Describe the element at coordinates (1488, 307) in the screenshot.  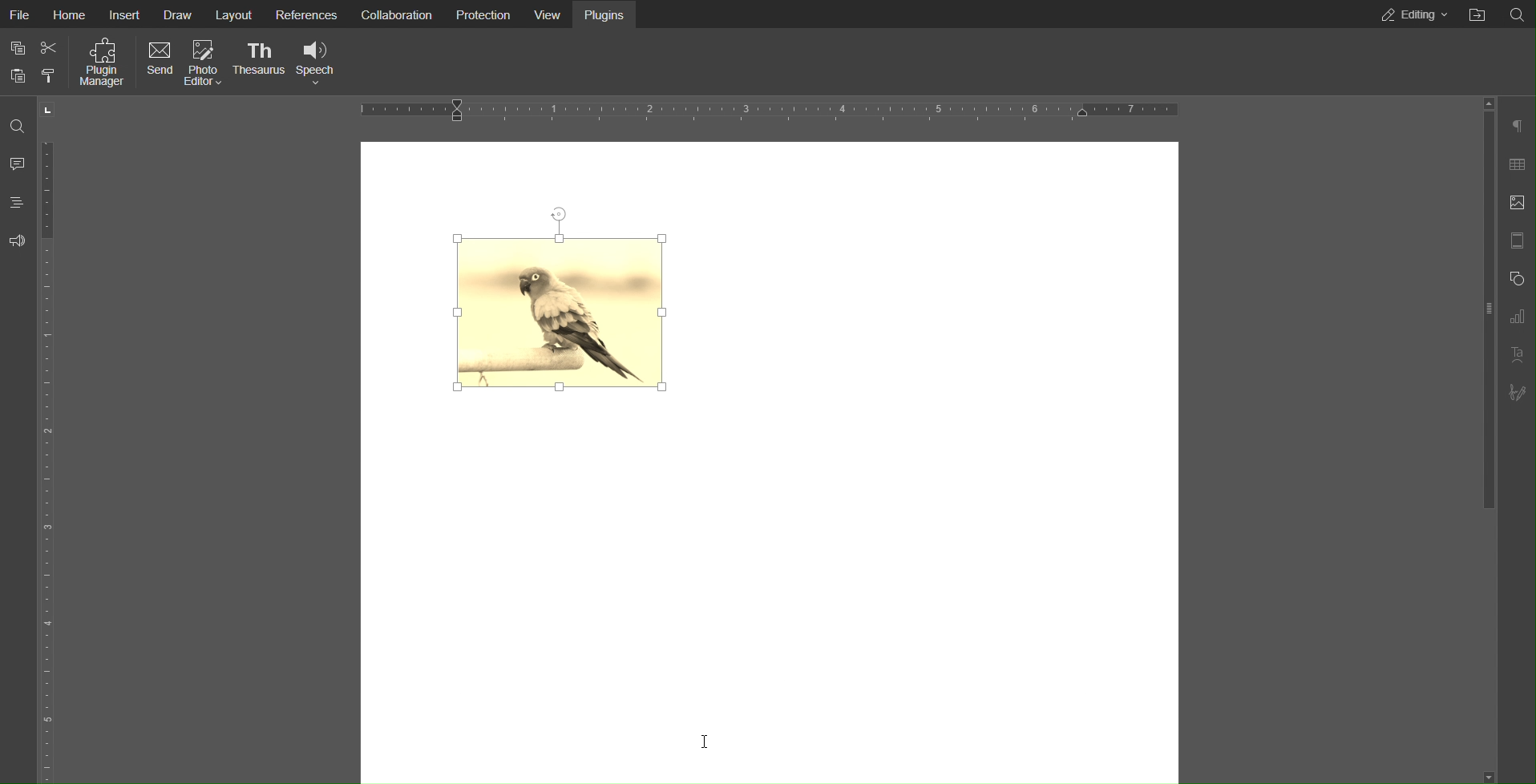
I see `slider` at that location.